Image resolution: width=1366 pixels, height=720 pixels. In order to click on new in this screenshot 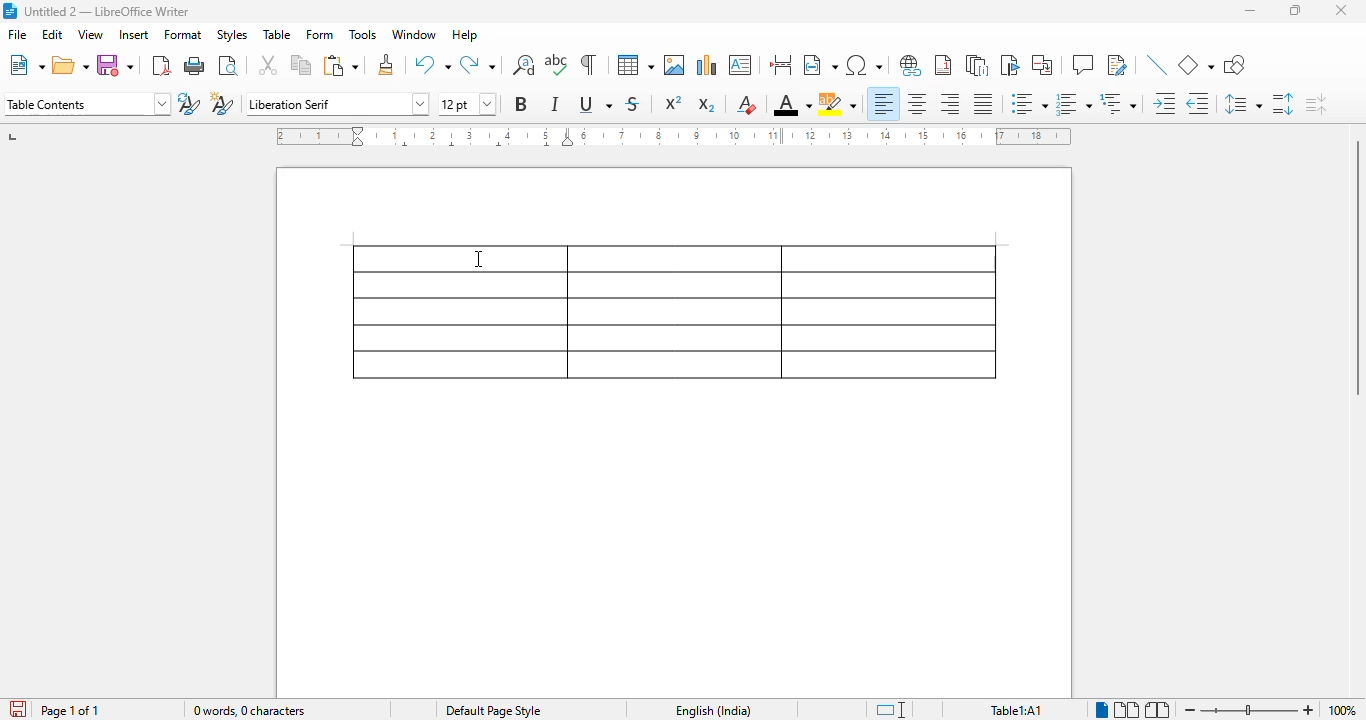, I will do `click(26, 66)`.